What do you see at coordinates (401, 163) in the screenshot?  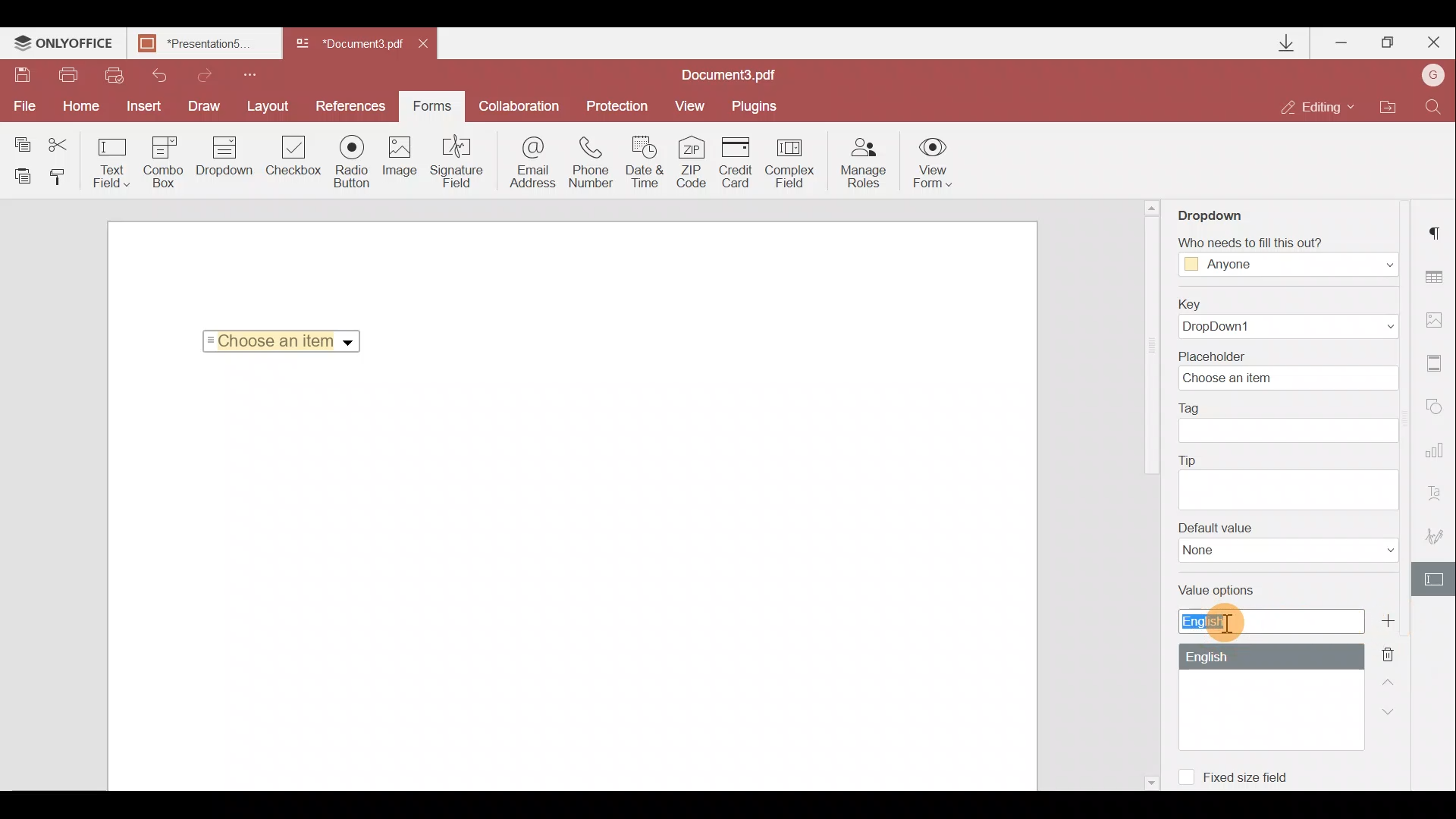 I see `Image` at bounding box center [401, 163].